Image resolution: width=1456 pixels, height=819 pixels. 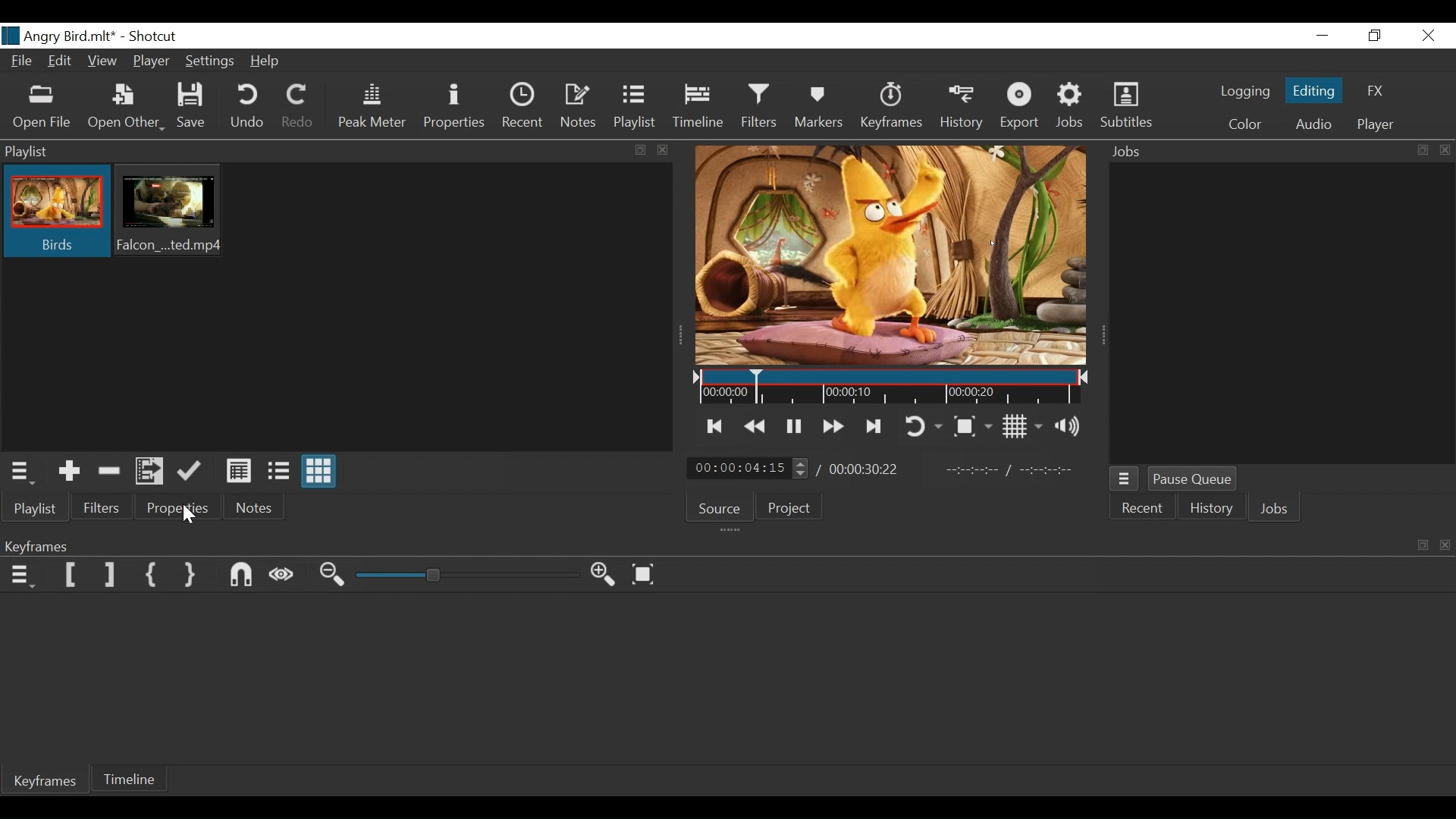 I want to click on Help, so click(x=267, y=62).